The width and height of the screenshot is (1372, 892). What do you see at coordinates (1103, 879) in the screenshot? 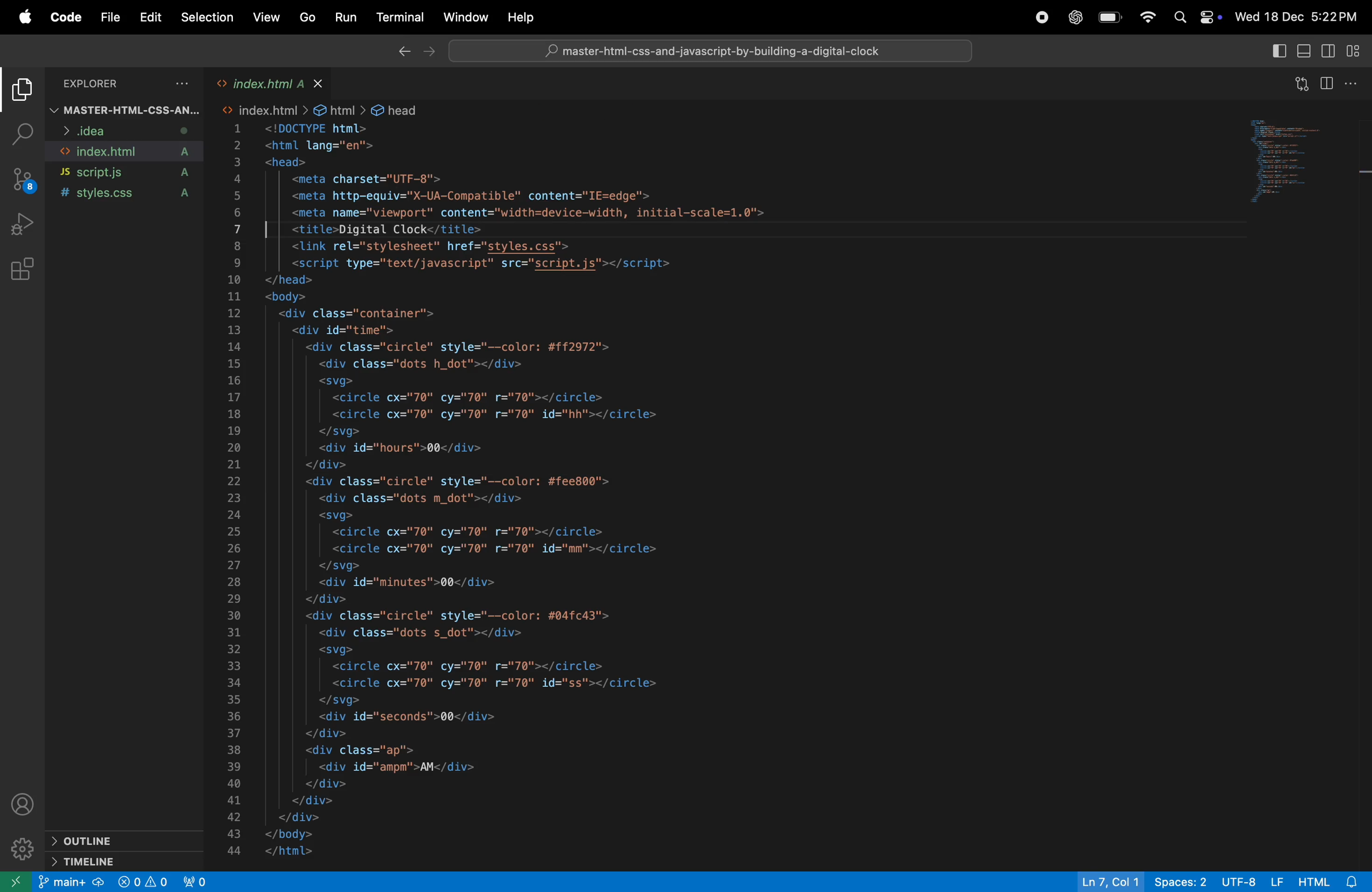
I see `ln col` at bounding box center [1103, 879].